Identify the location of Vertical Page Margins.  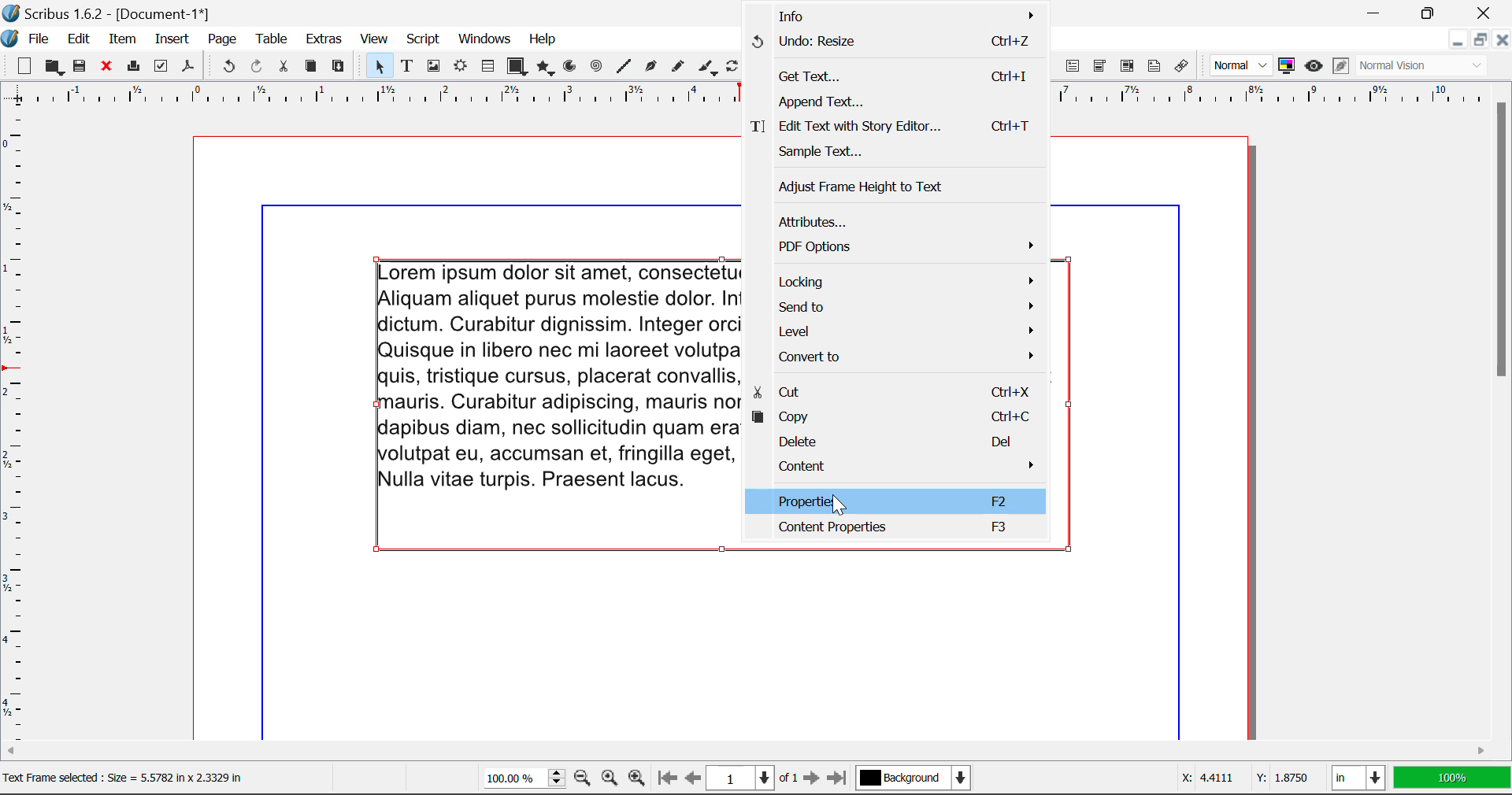
(369, 94).